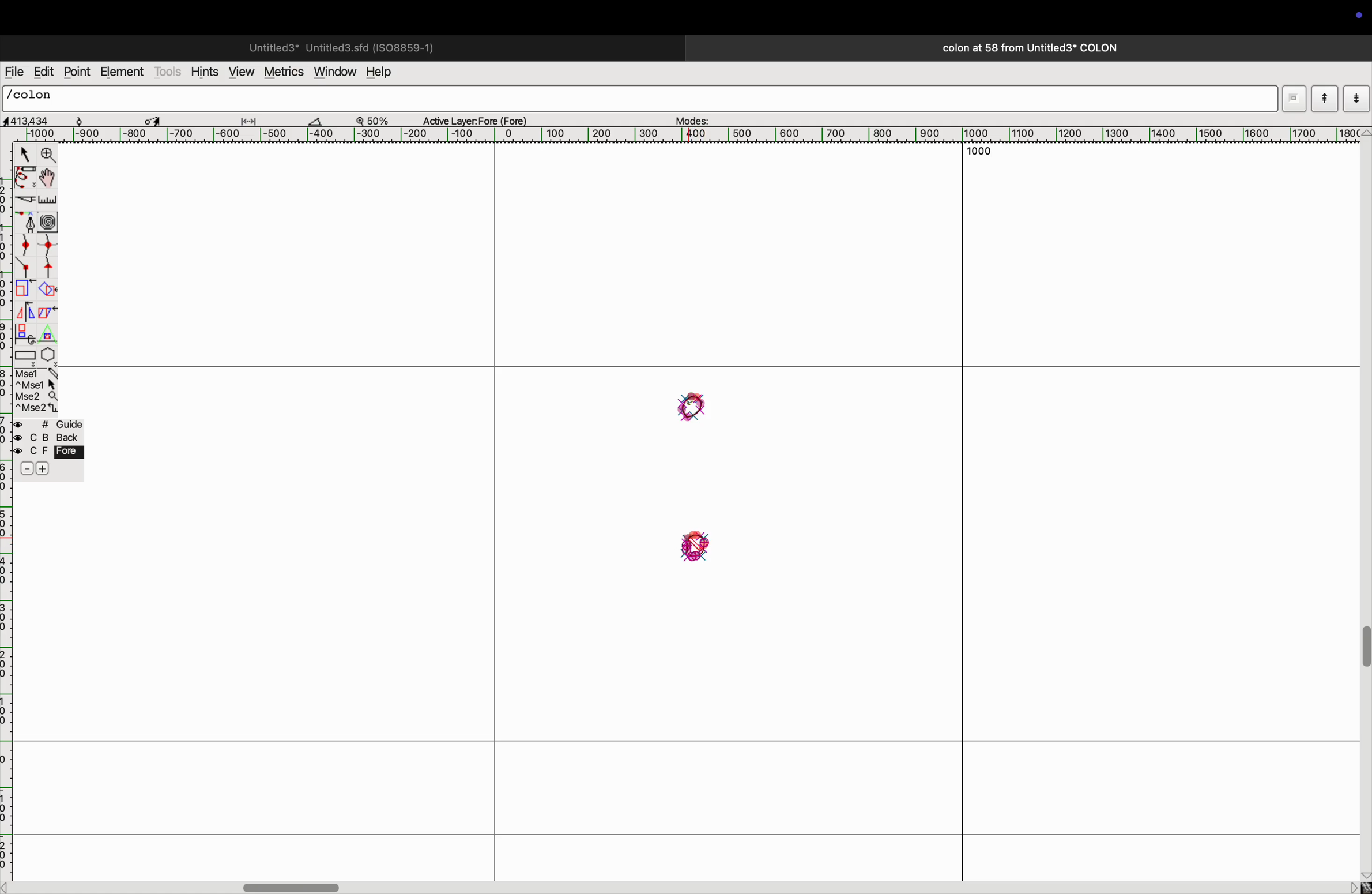 The width and height of the screenshot is (1372, 894). Describe the element at coordinates (282, 72) in the screenshot. I see `metrics` at that location.